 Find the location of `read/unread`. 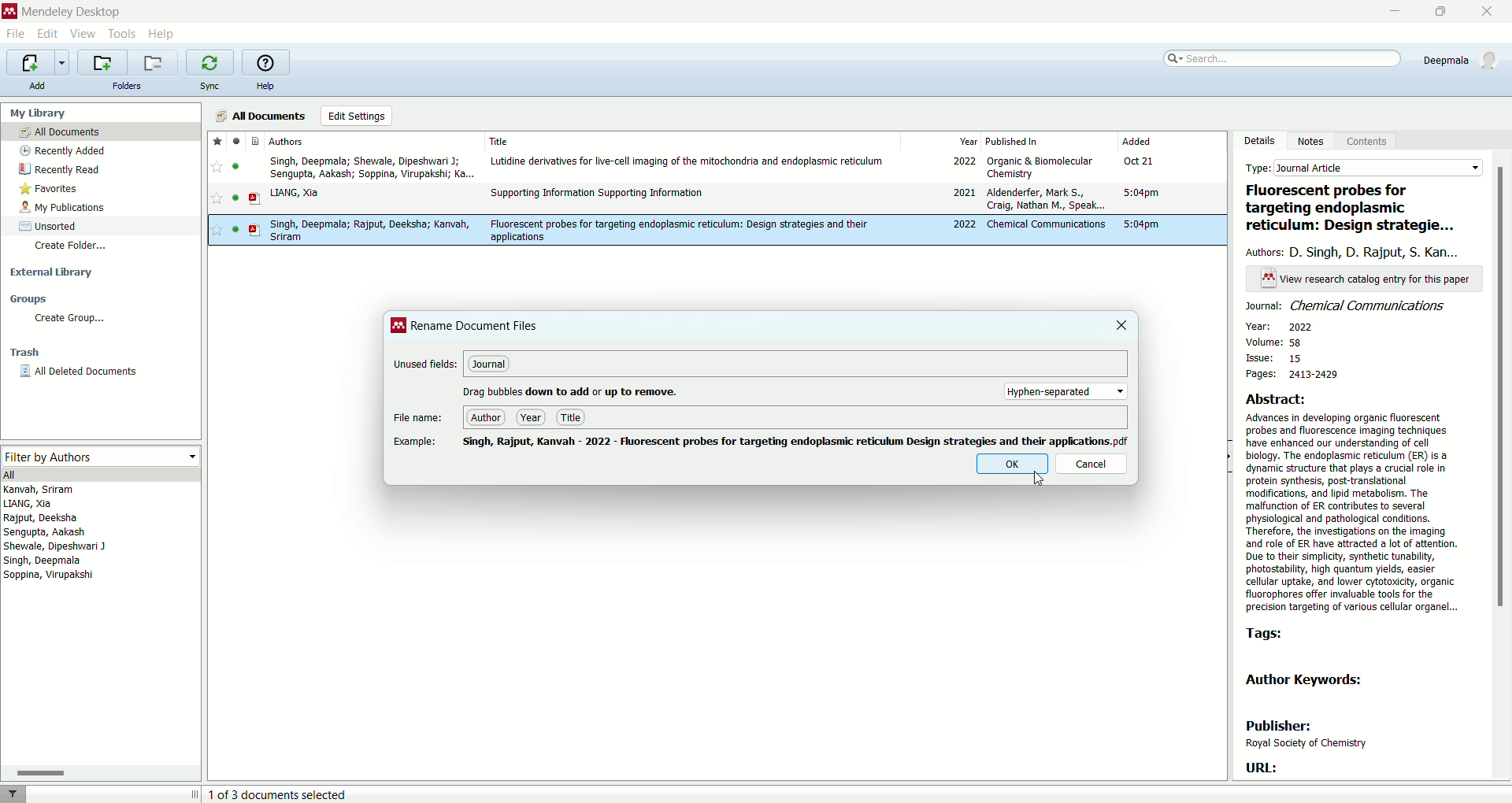

read/unread is located at coordinates (232, 230).